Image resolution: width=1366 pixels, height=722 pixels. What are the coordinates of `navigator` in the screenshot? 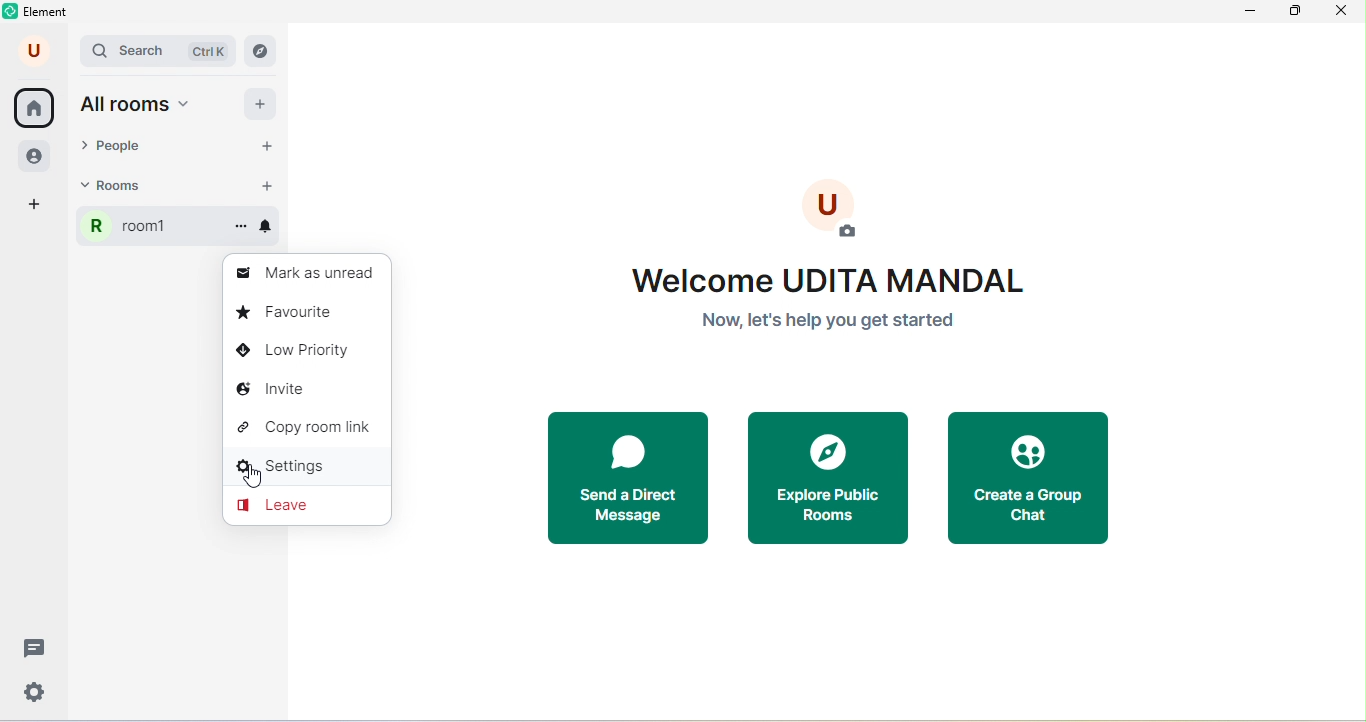 It's located at (260, 51).